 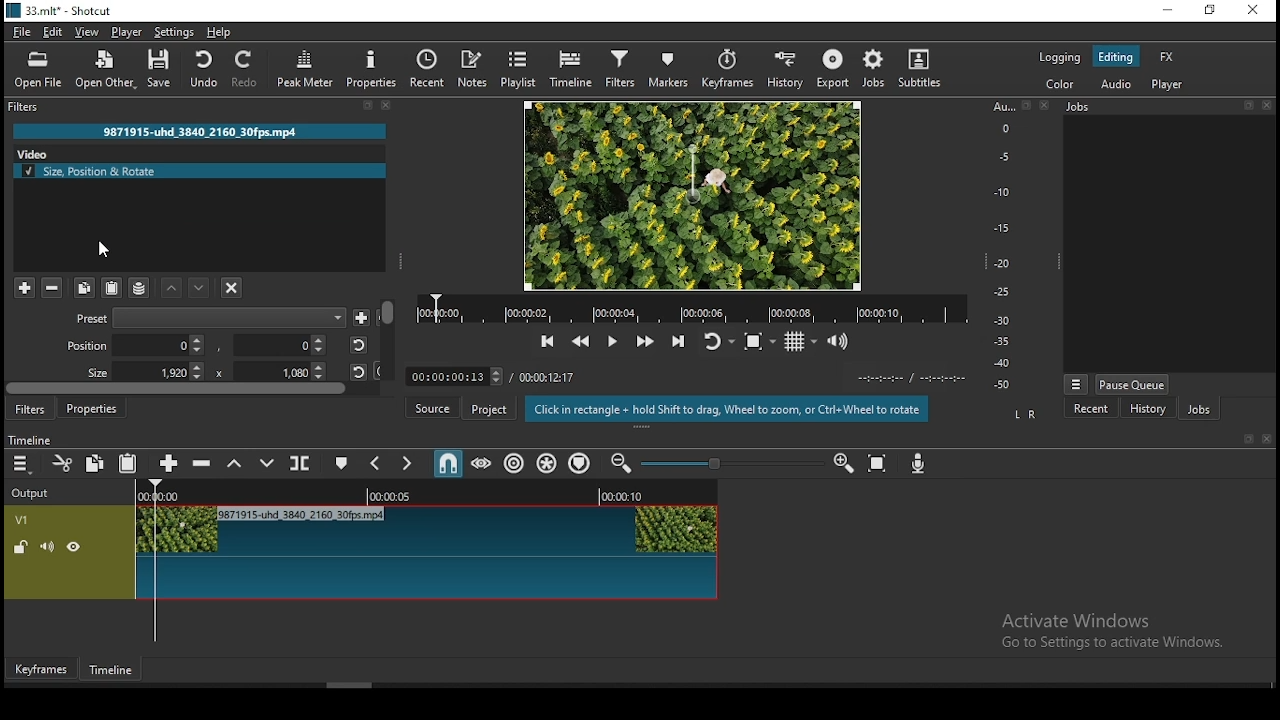 What do you see at coordinates (1021, 413) in the screenshot?
I see `L R` at bounding box center [1021, 413].